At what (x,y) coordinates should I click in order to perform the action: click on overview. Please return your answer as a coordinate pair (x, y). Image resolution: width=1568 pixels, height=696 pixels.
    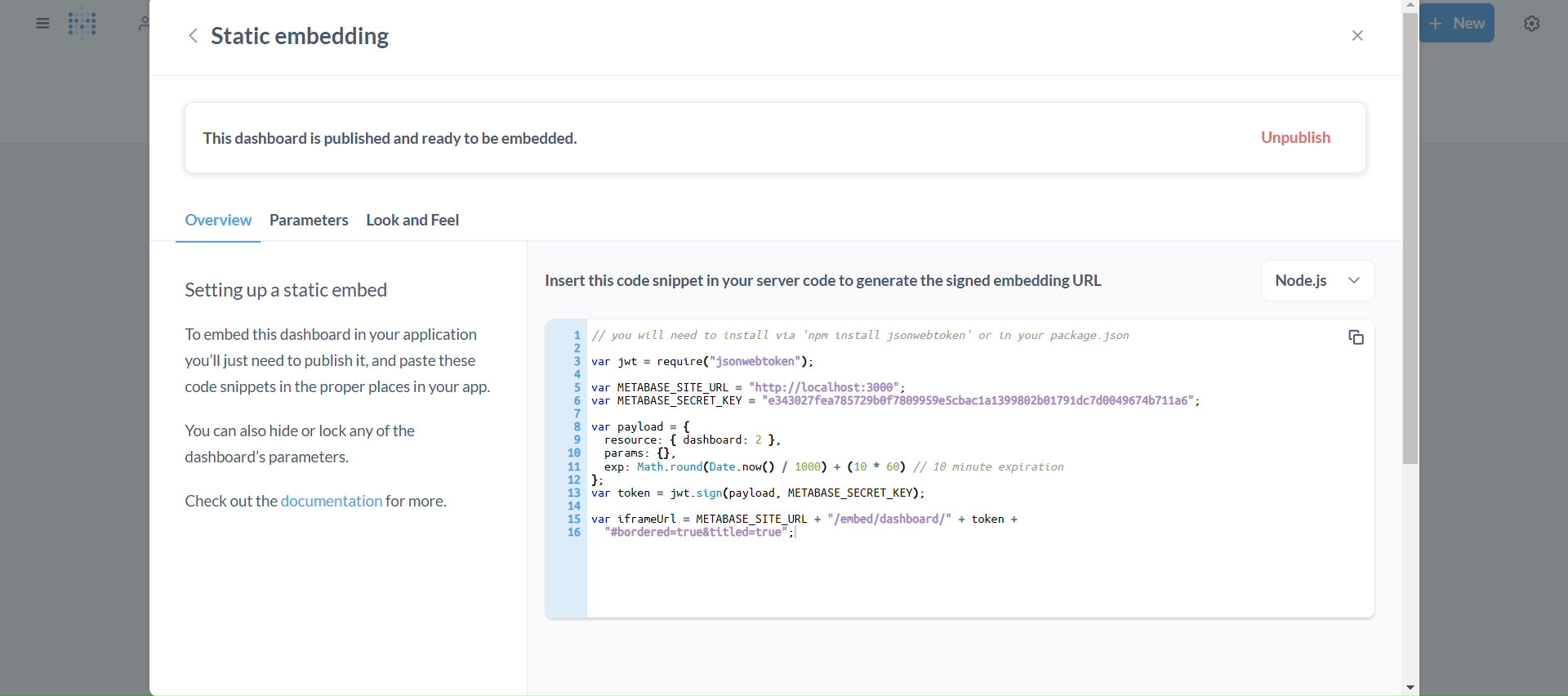
    Looking at the image, I should click on (218, 225).